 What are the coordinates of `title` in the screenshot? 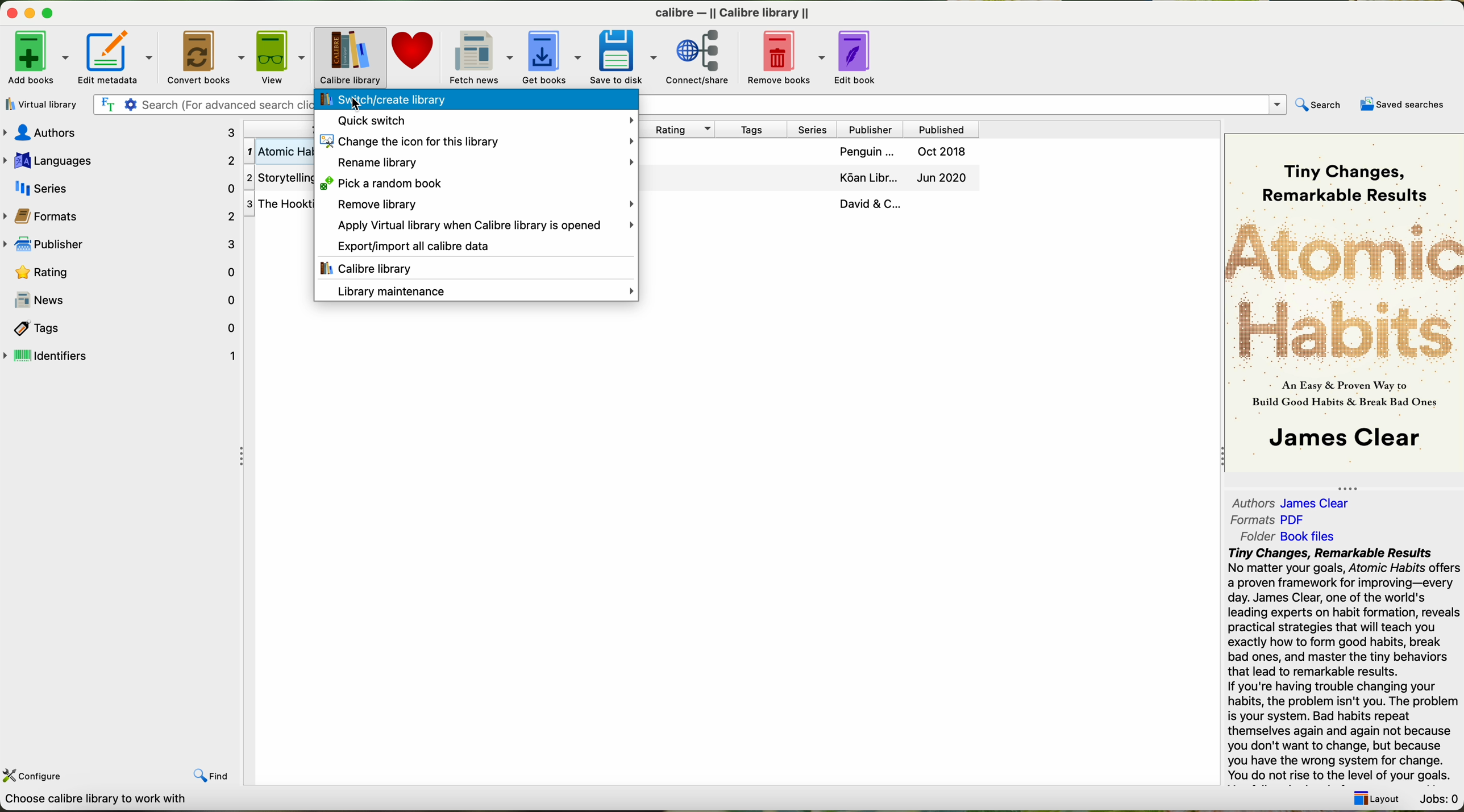 It's located at (278, 128).